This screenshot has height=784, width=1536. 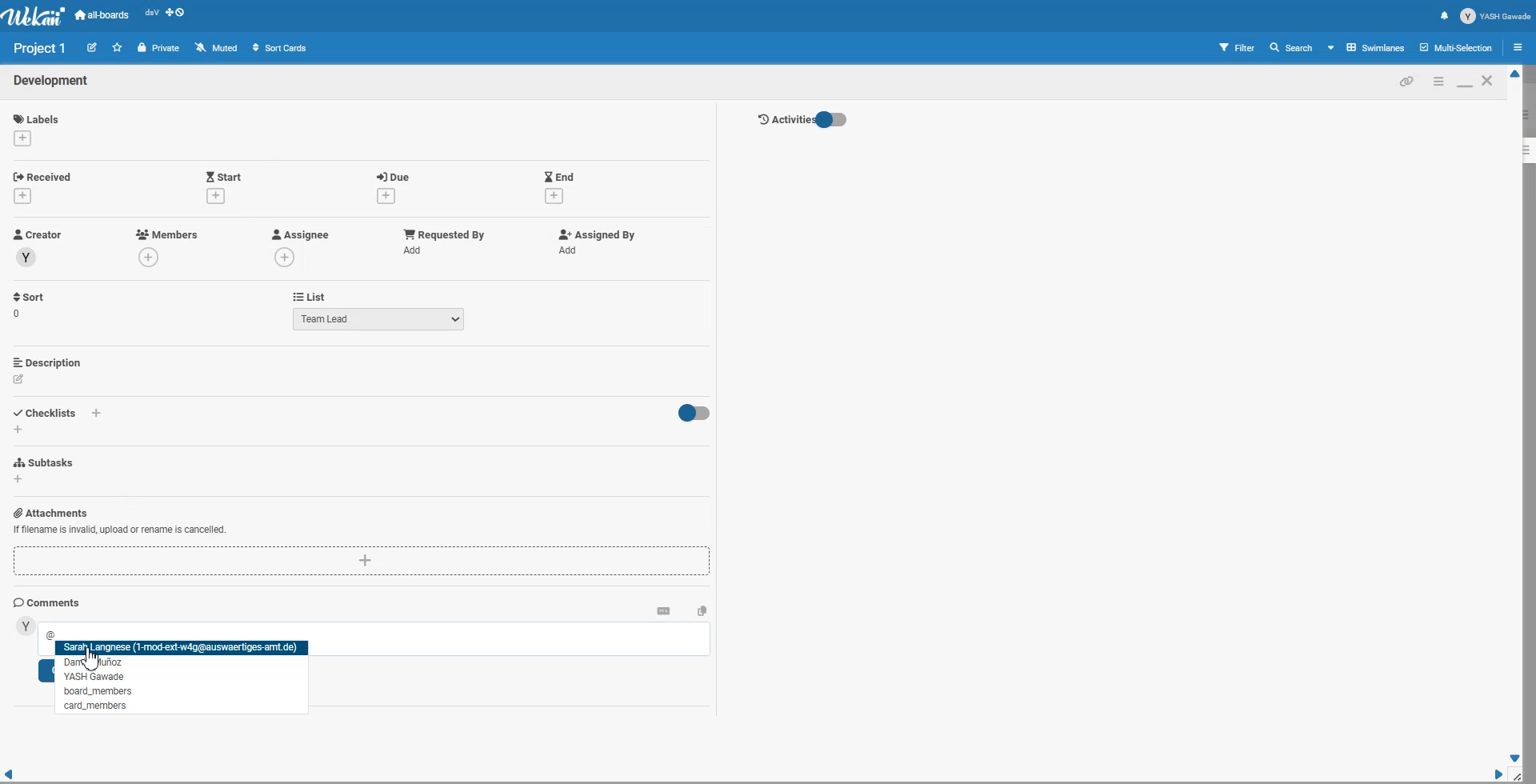 What do you see at coordinates (49, 362) in the screenshot?
I see `Add Description` at bounding box center [49, 362].